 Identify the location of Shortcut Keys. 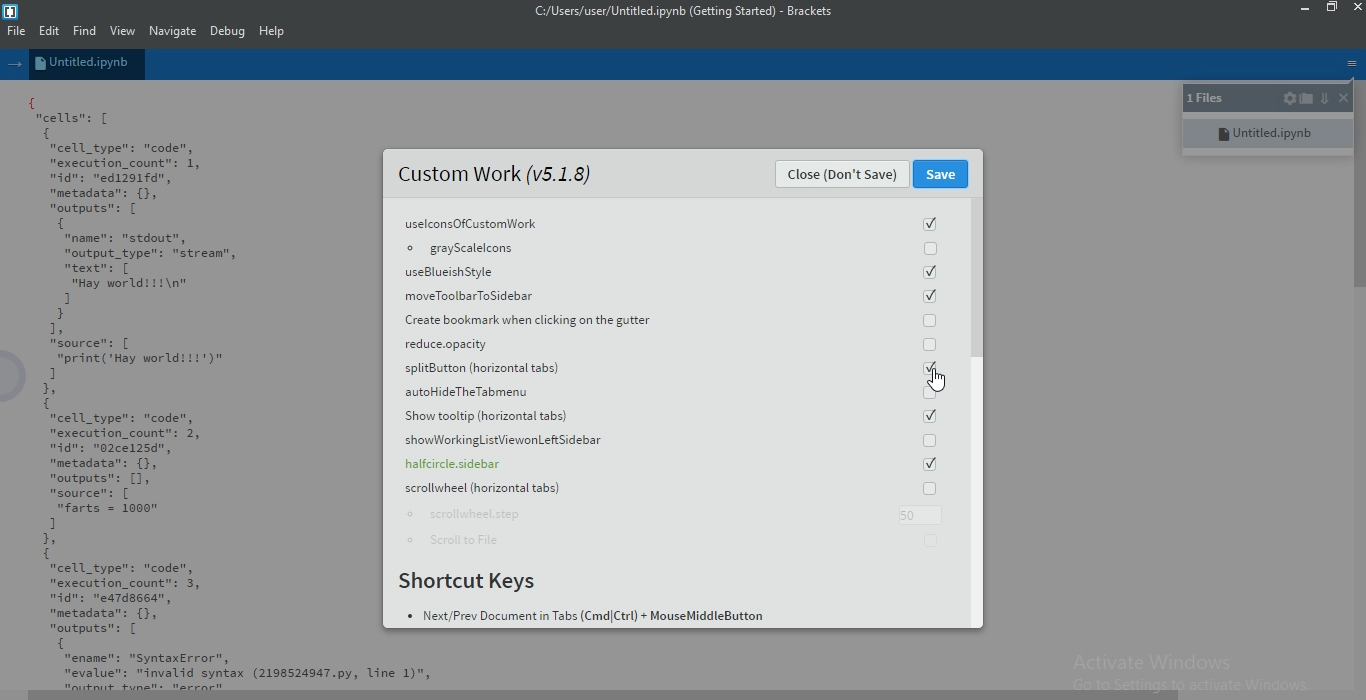
(469, 582).